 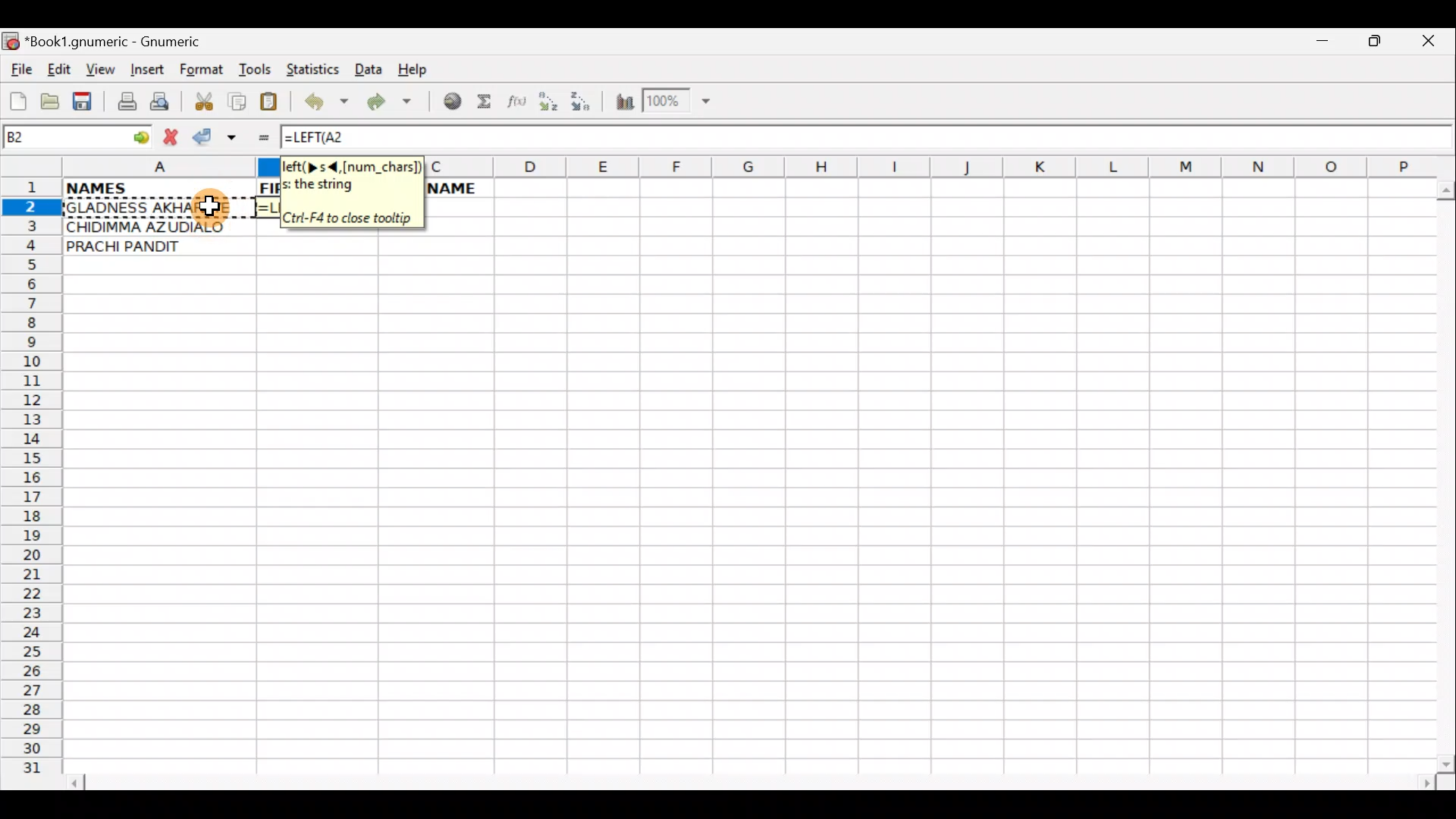 I want to click on Enter formula, so click(x=256, y=137).